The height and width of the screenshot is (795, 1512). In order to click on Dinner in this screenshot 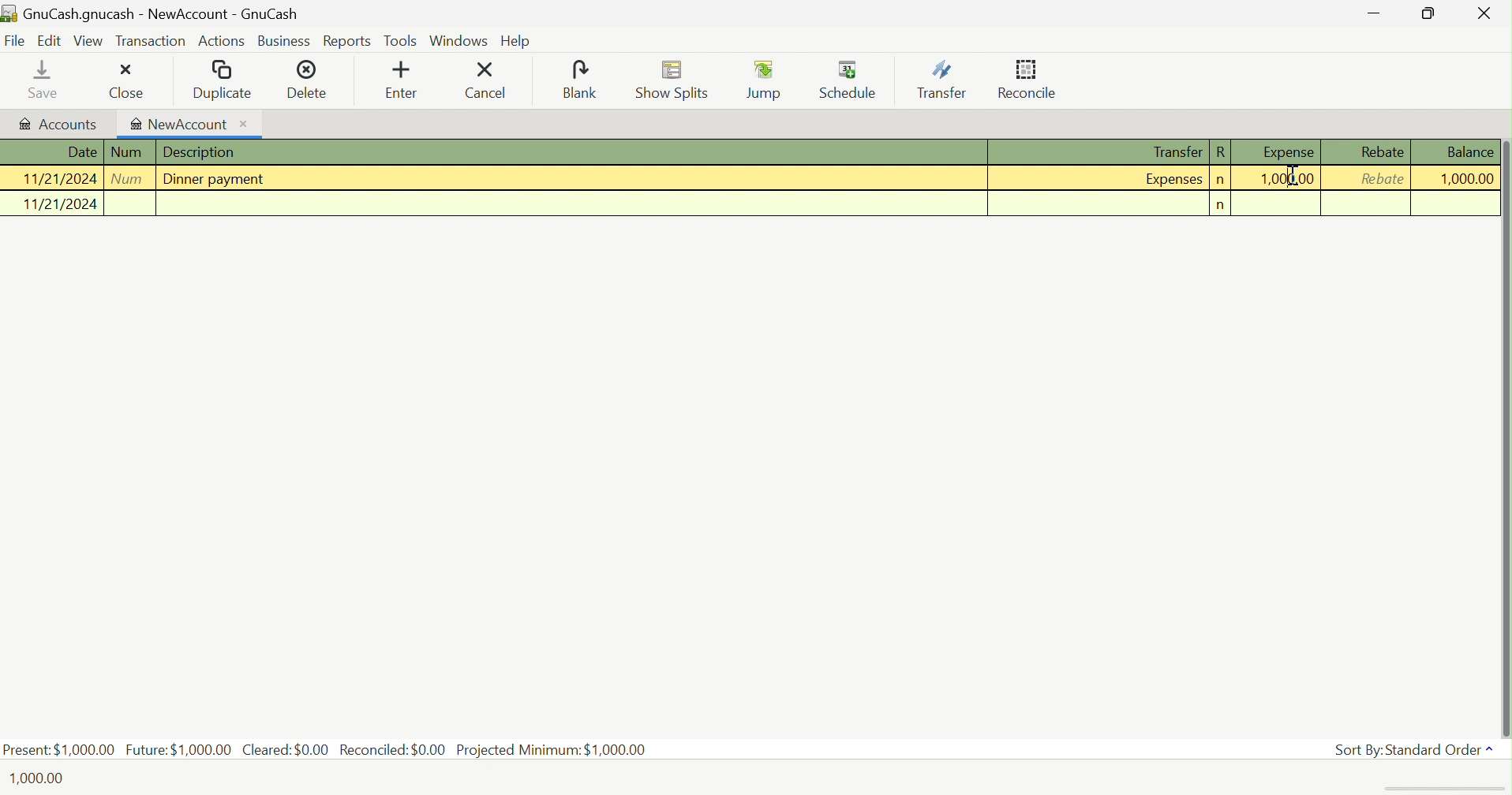, I will do `click(219, 179)`.